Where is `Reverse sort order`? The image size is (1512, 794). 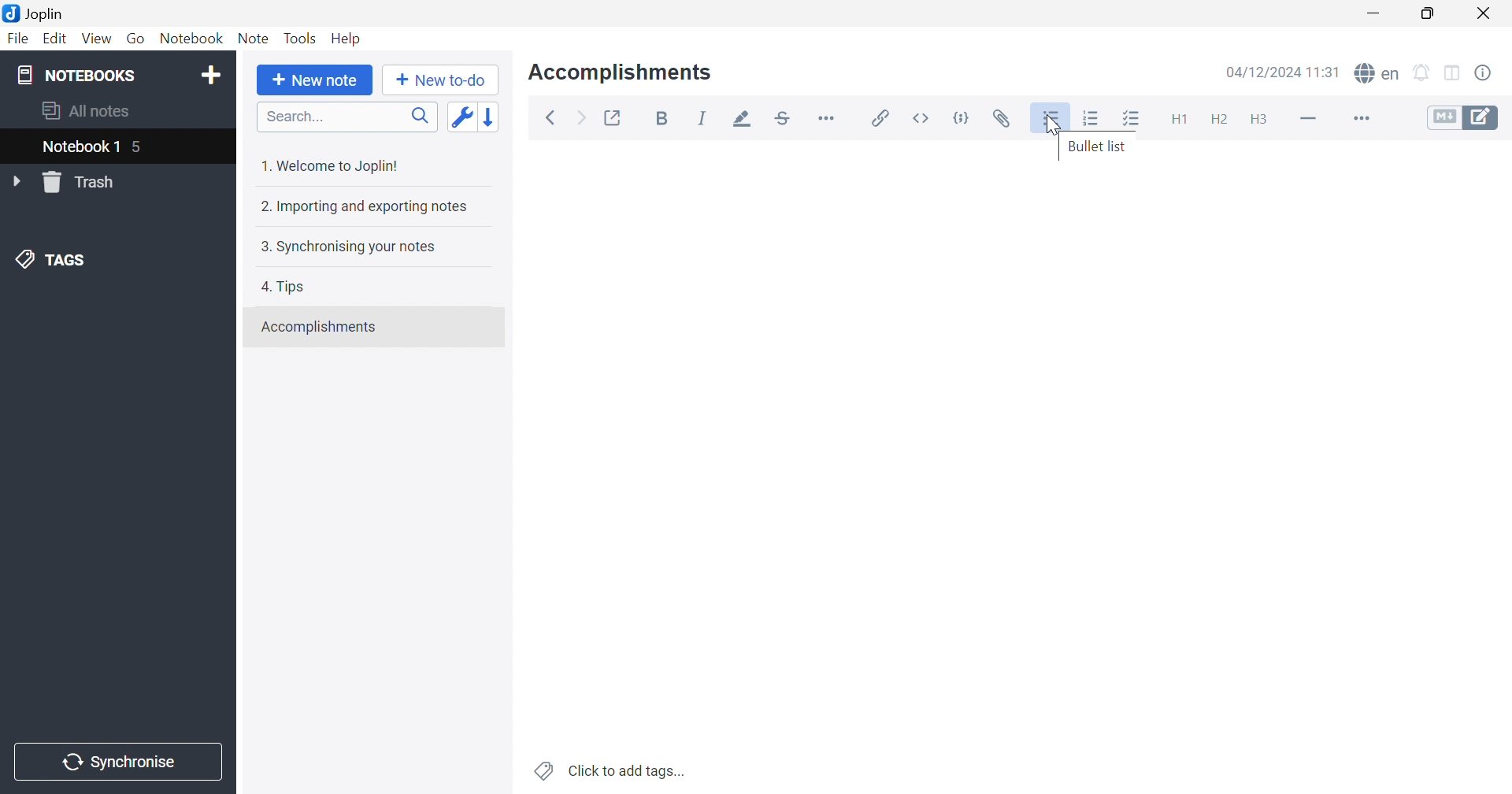 Reverse sort order is located at coordinates (490, 117).